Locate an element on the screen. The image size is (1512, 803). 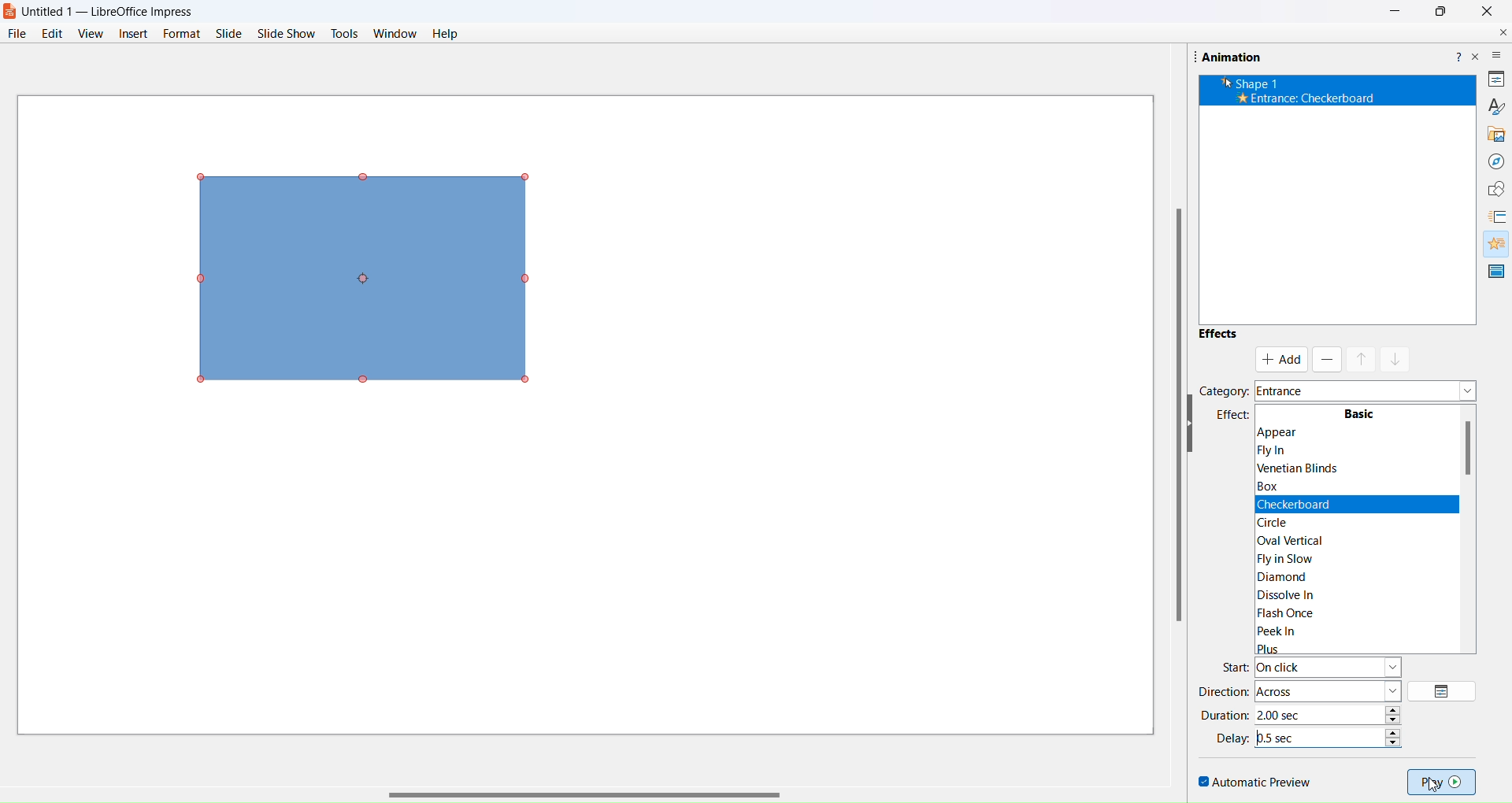
slide transition is located at coordinates (1499, 216).